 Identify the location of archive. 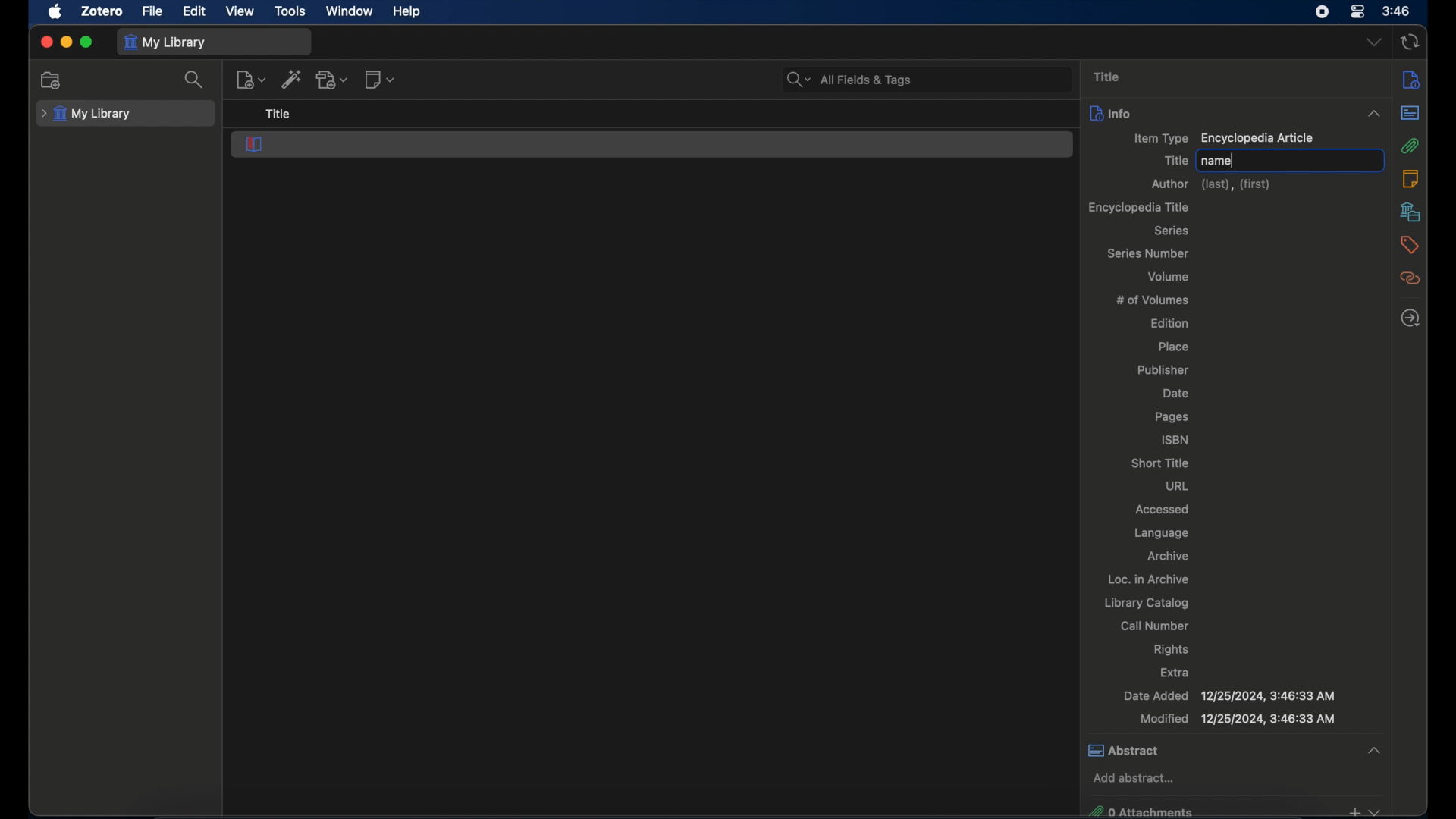
(1168, 556).